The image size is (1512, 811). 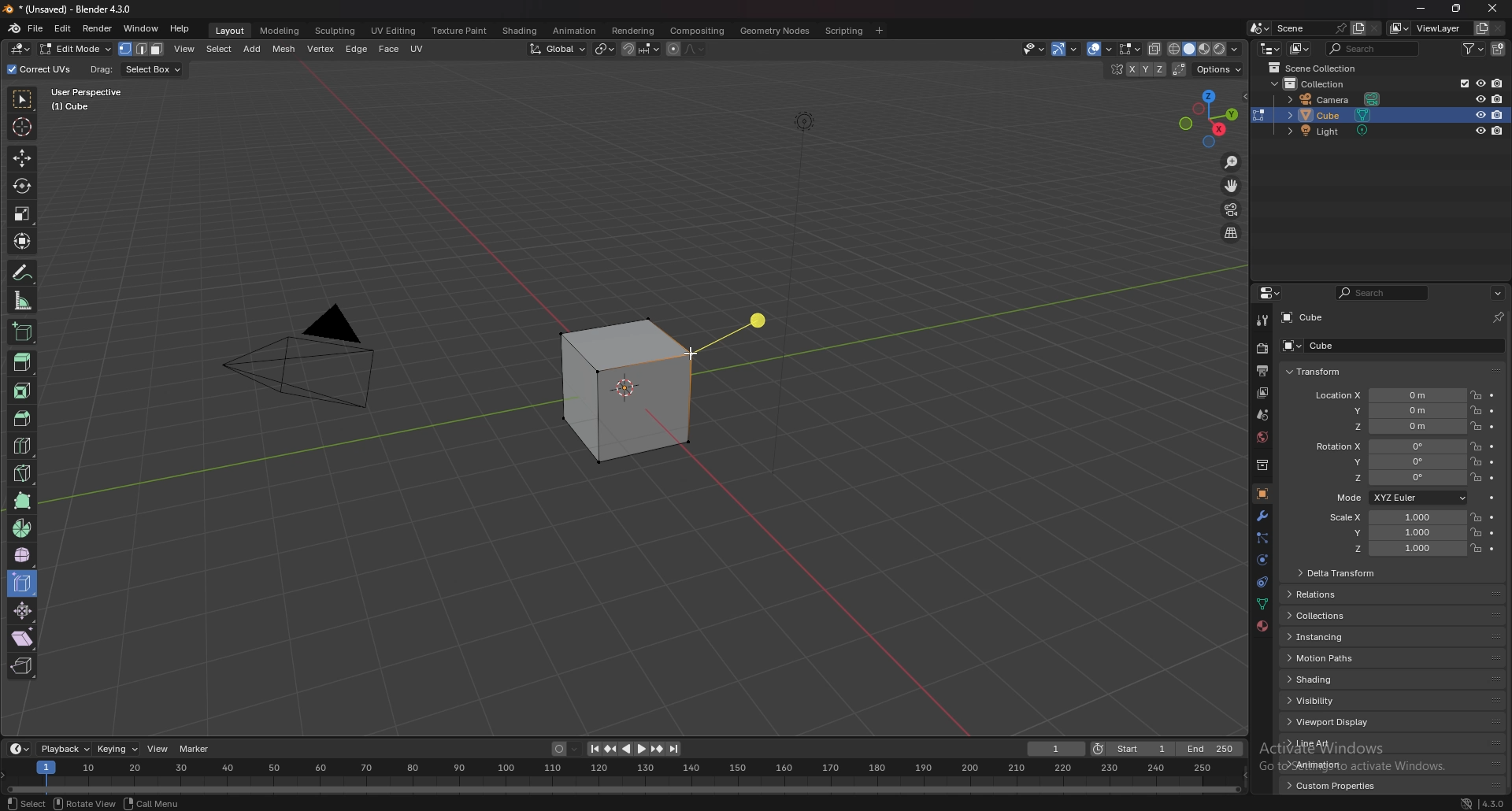 What do you see at coordinates (1358, 28) in the screenshot?
I see `add layer` at bounding box center [1358, 28].